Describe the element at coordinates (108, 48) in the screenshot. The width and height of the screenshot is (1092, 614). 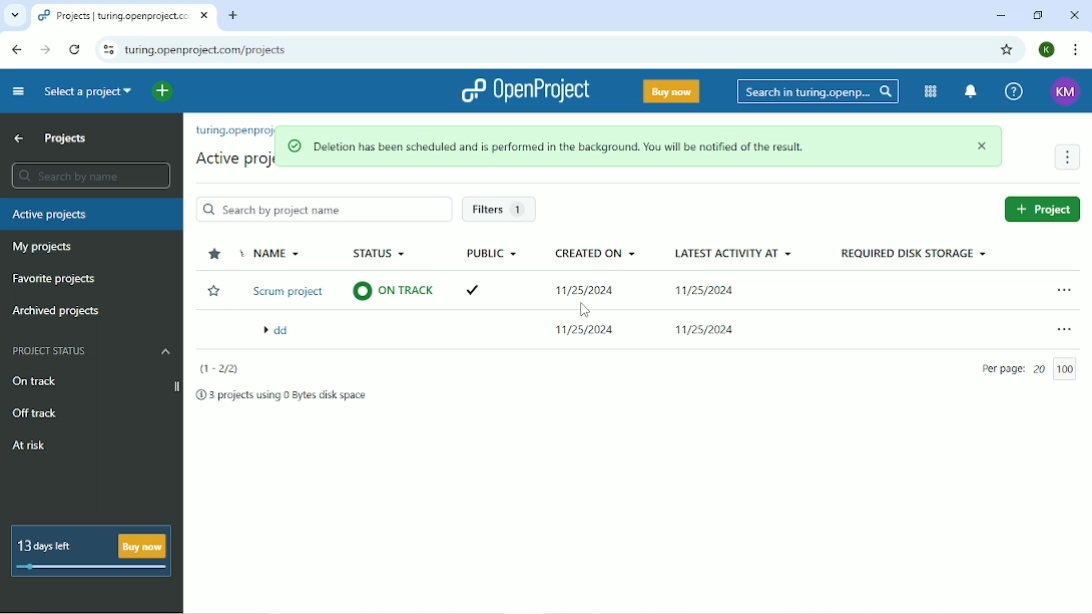
I see `View site information` at that location.